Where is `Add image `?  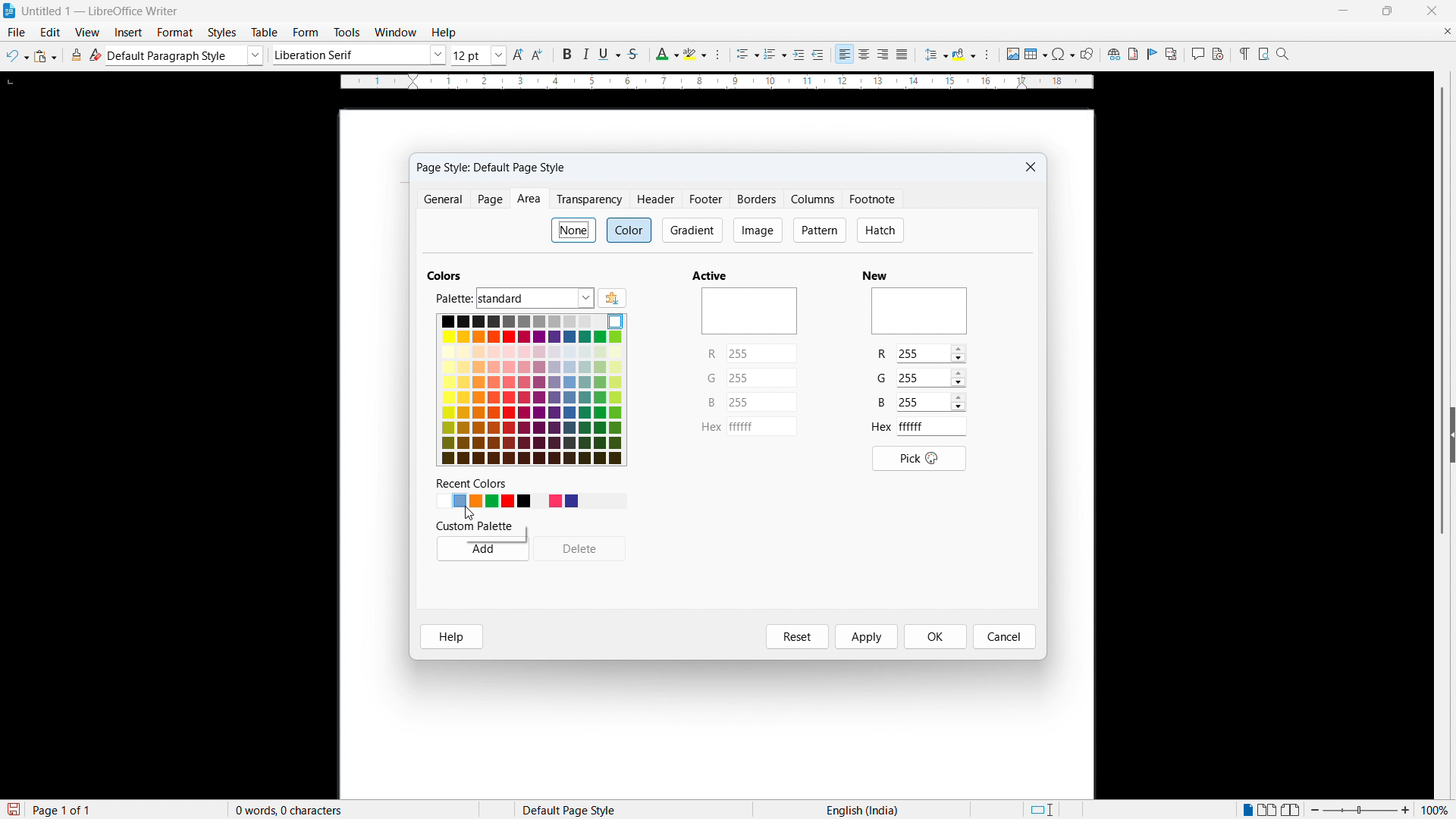
Add image  is located at coordinates (1012, 53).